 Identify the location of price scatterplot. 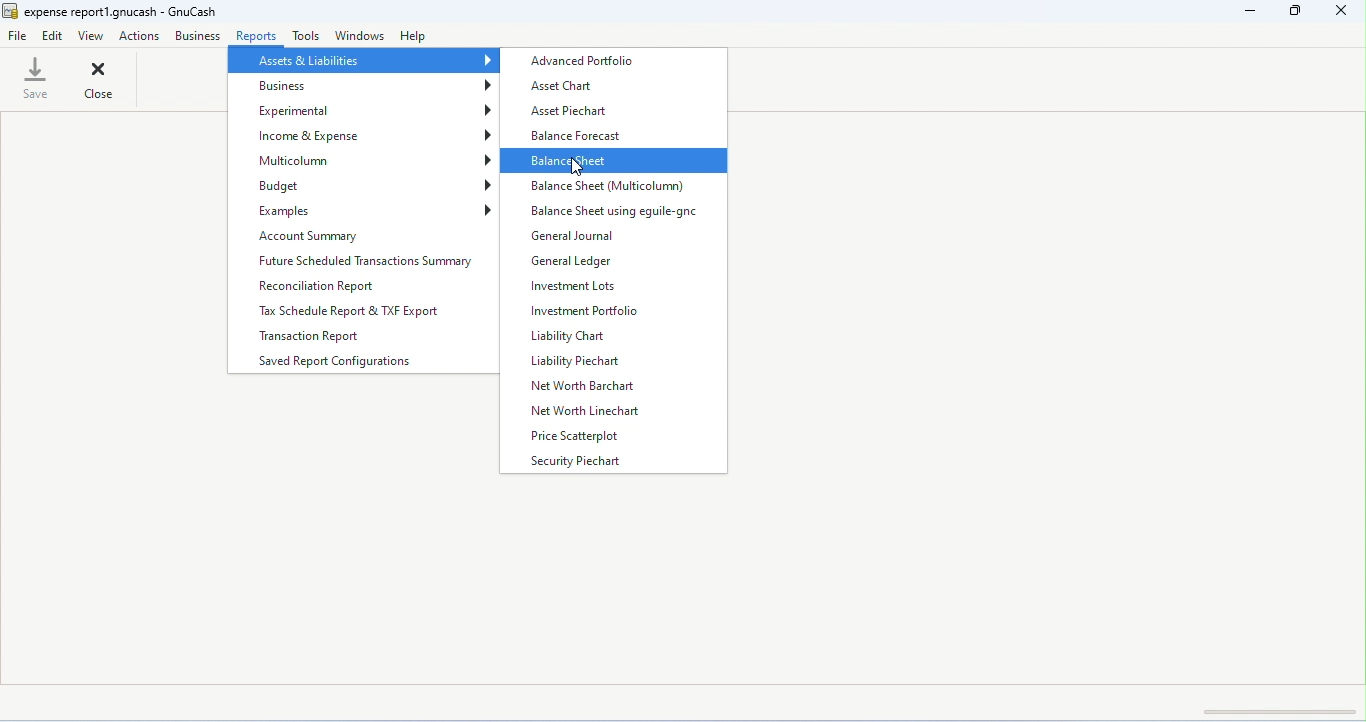
(588, 437).